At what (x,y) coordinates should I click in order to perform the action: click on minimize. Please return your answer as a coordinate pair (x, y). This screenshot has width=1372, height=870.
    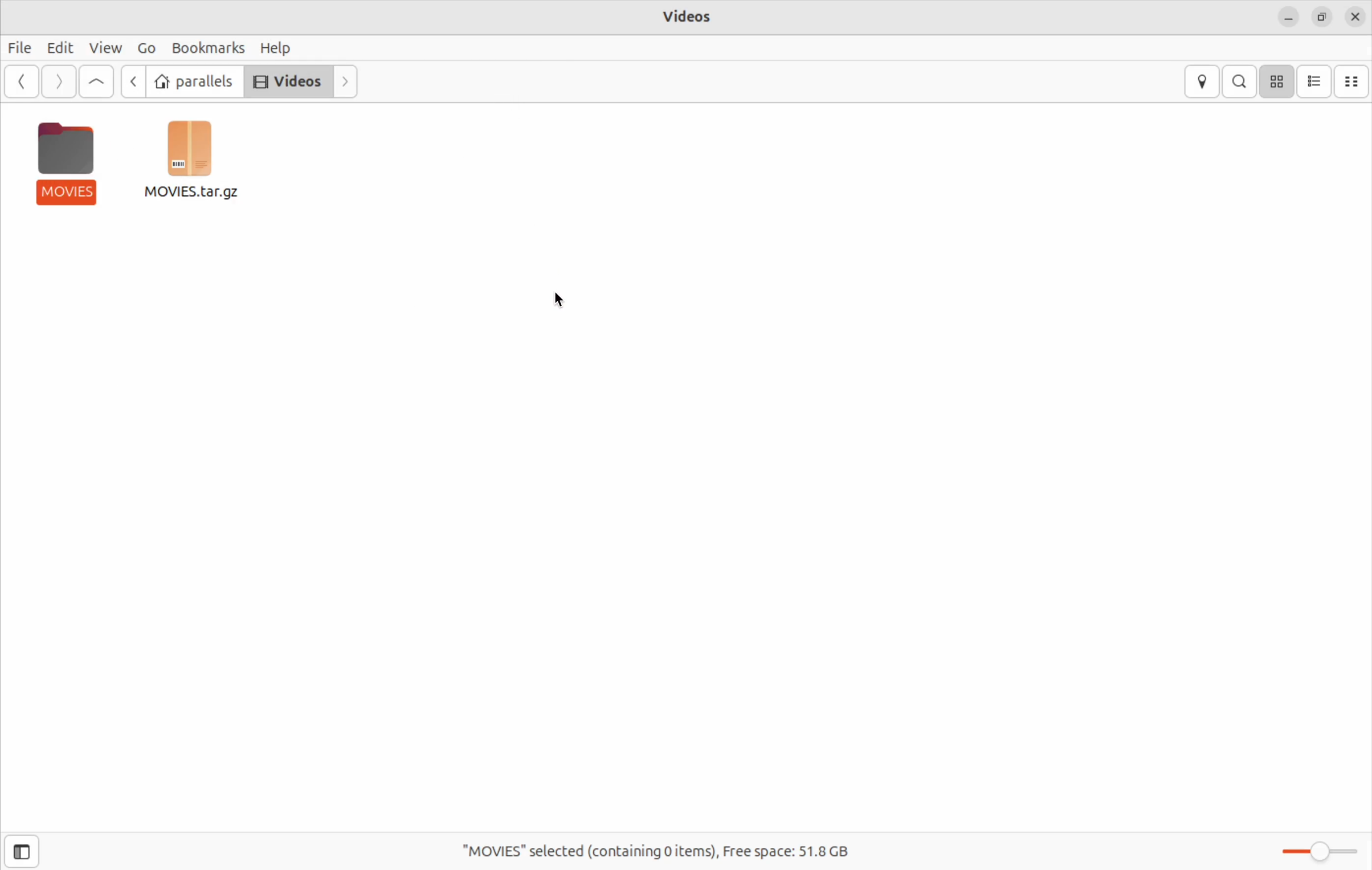
    Looking at the image, I should click on (1286, 15).